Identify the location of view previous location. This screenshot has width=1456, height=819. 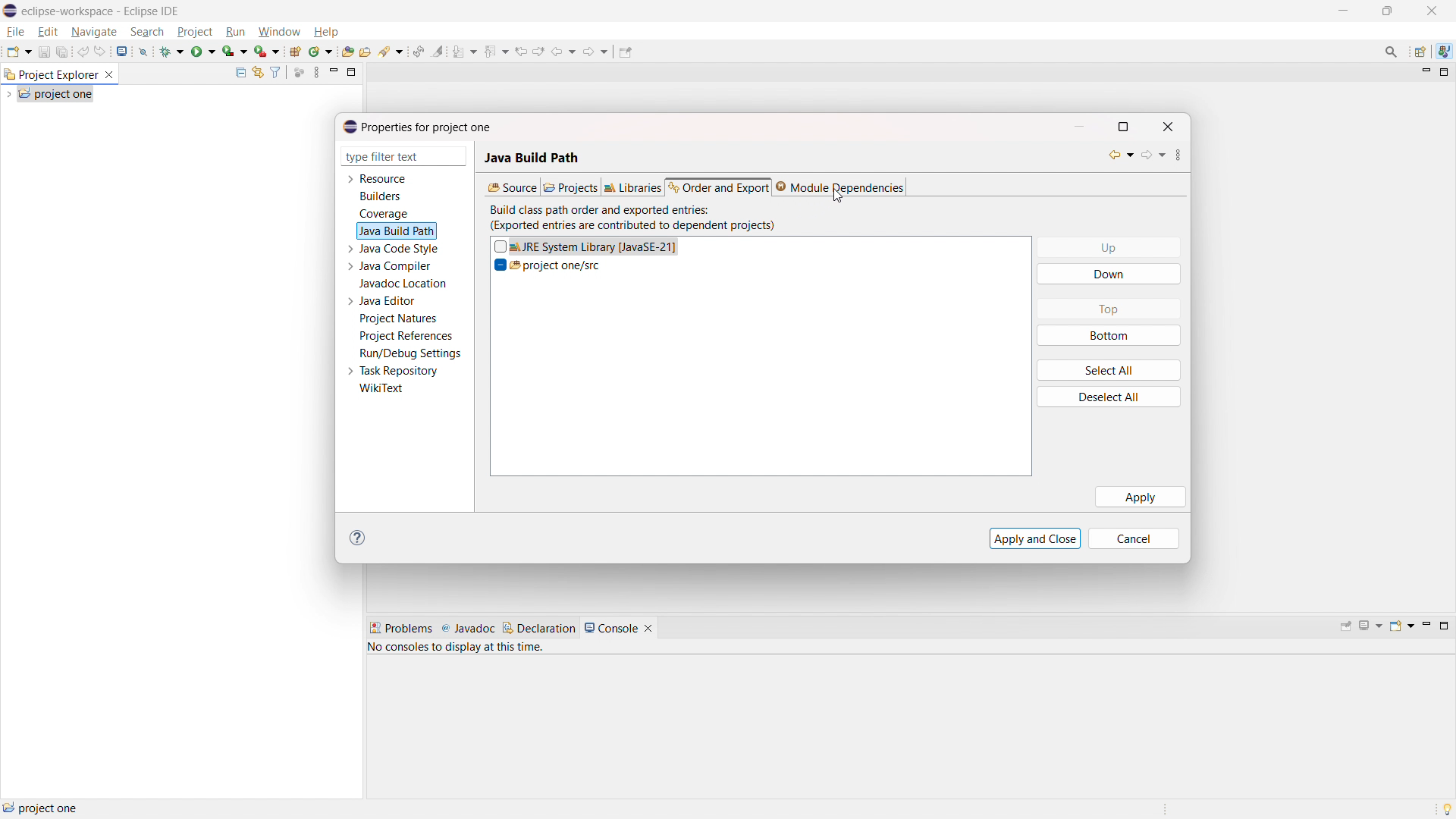
(521, 50).